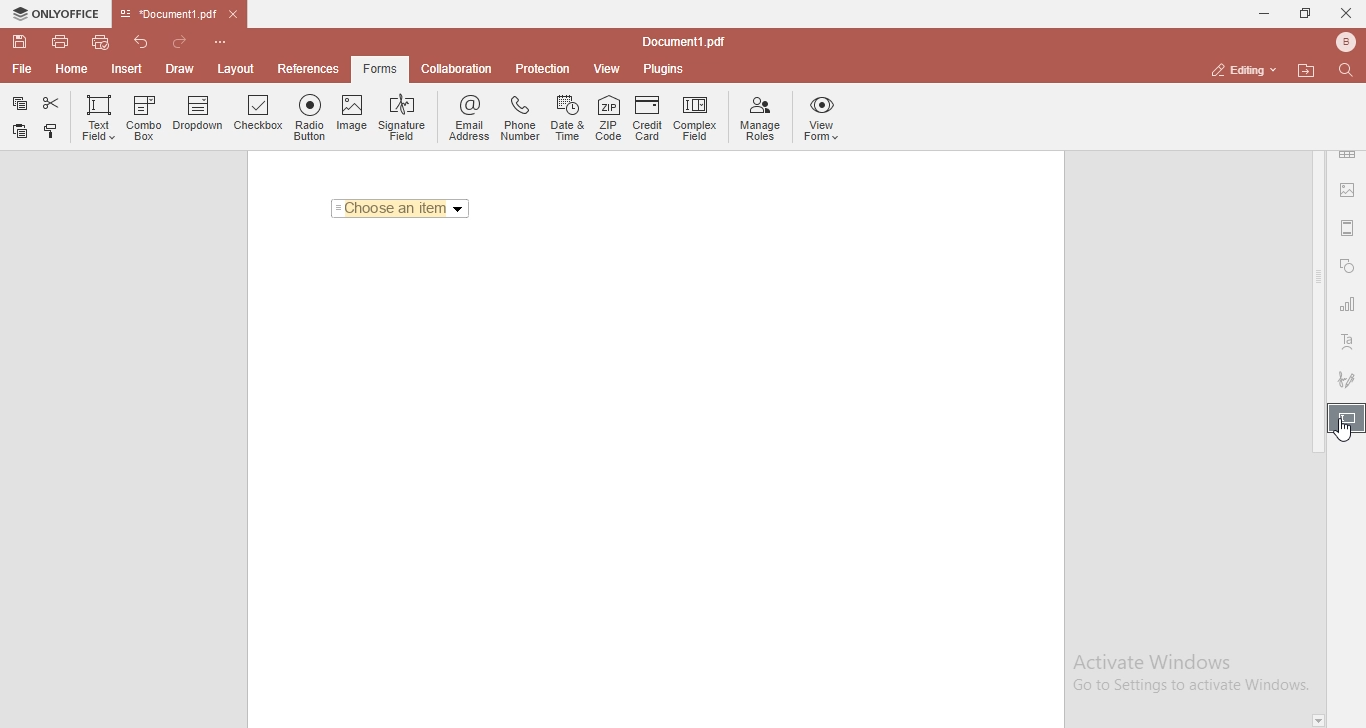  What do you see at coordinates (647, 121) in the screenshot?
I see `credit card` at bounding box center [647, 121].